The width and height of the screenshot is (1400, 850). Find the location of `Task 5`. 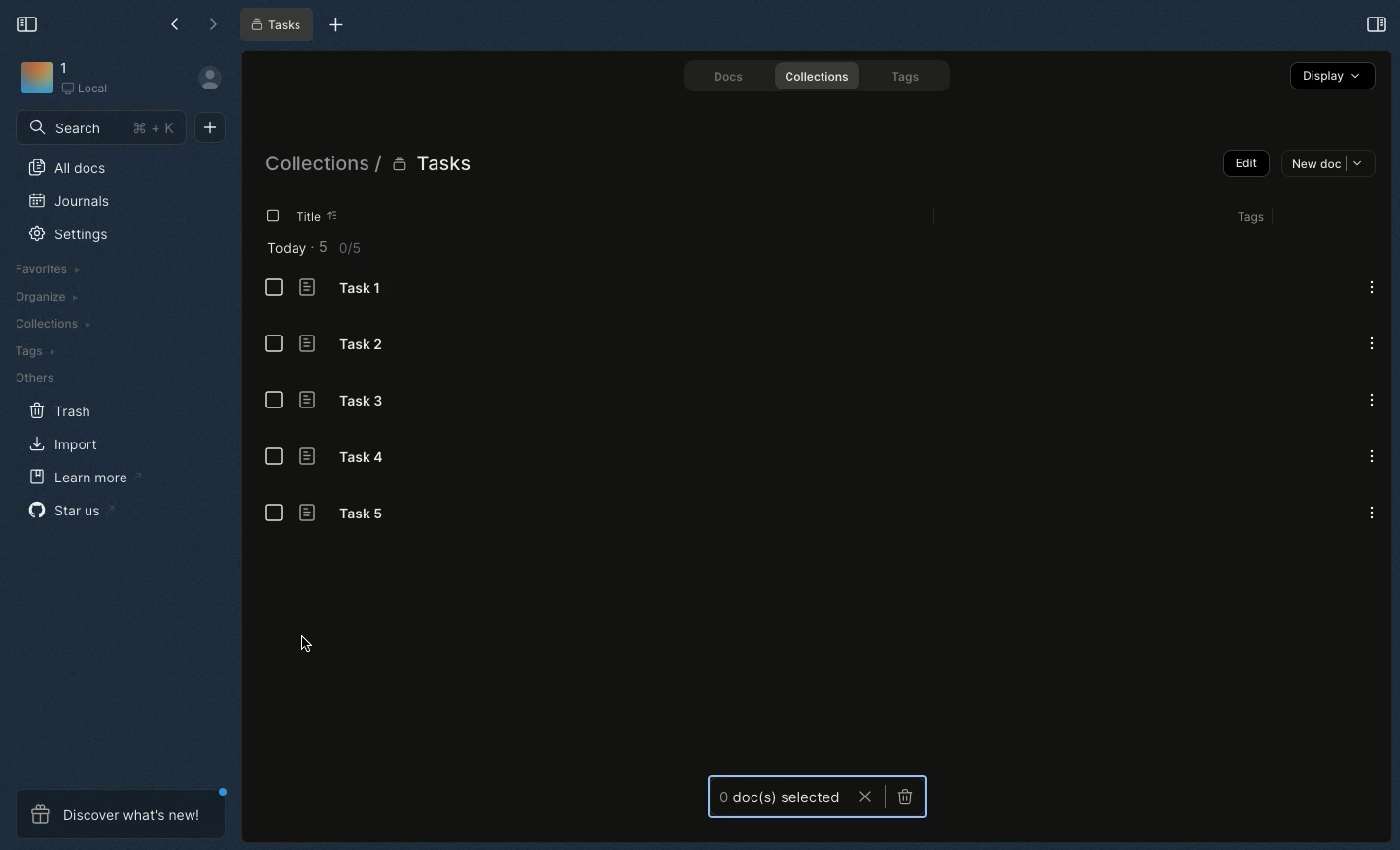

Task 5 is located at coordinates (357, 514).